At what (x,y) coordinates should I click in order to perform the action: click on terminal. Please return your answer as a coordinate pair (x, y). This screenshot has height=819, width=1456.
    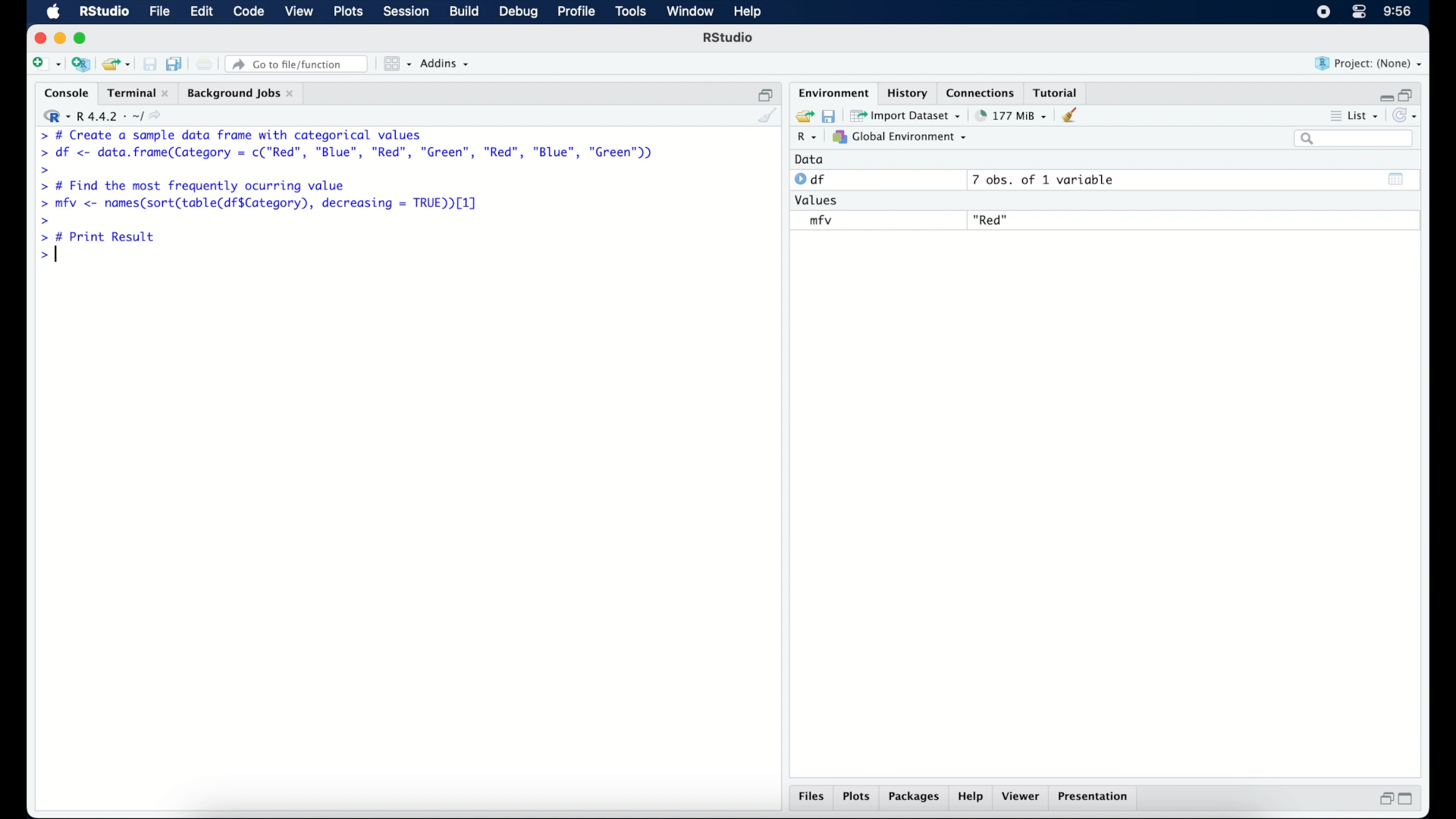
    Looking at the image, I should click on (136, 91).